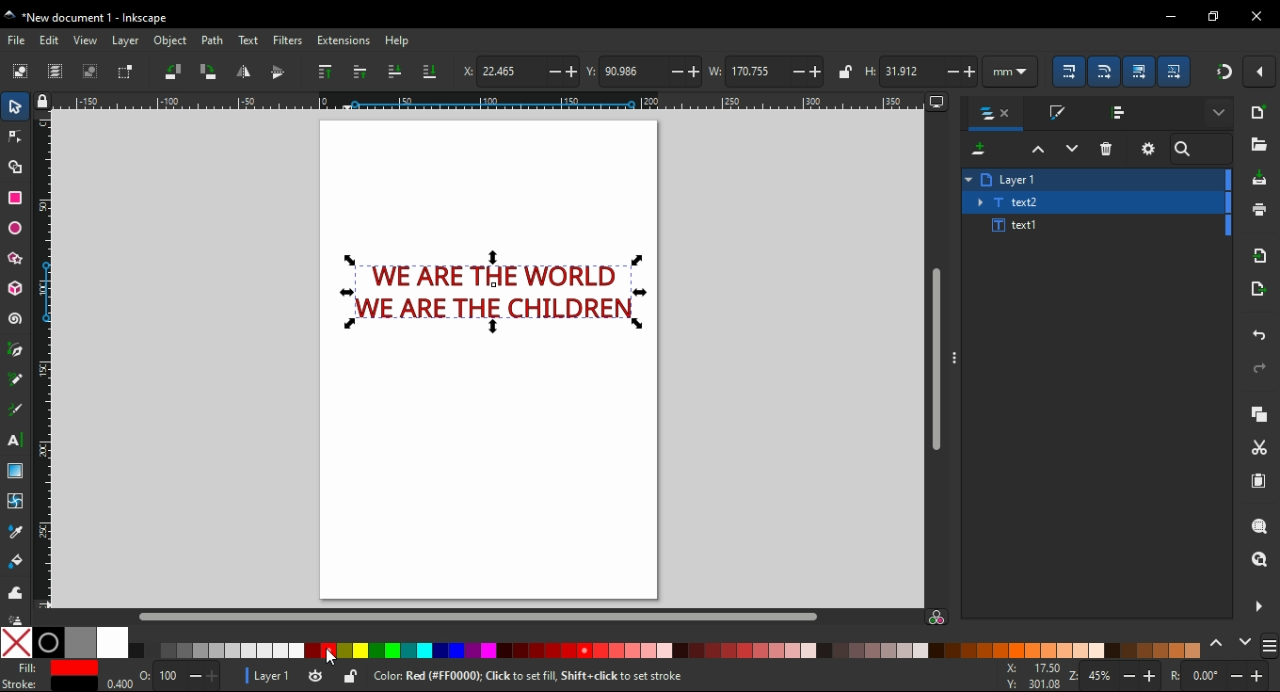 This screenshot has height=692, width=1280. What do you see at coordinates (1171, 17) in the screenshot?
I see `minimize` at bounding box center [1171, 17].